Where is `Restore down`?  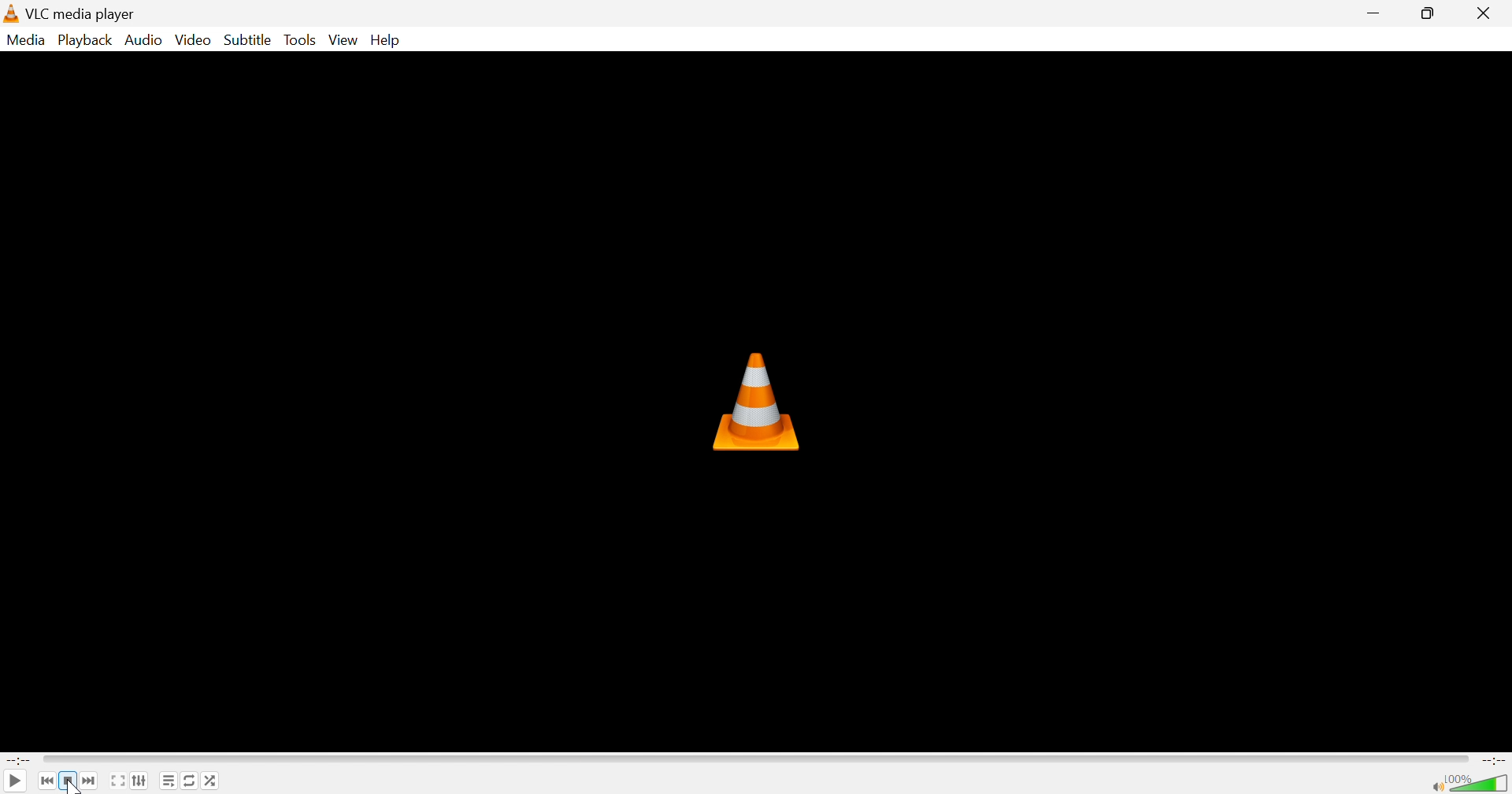 Restore down is located at coordinates (1432, 13).